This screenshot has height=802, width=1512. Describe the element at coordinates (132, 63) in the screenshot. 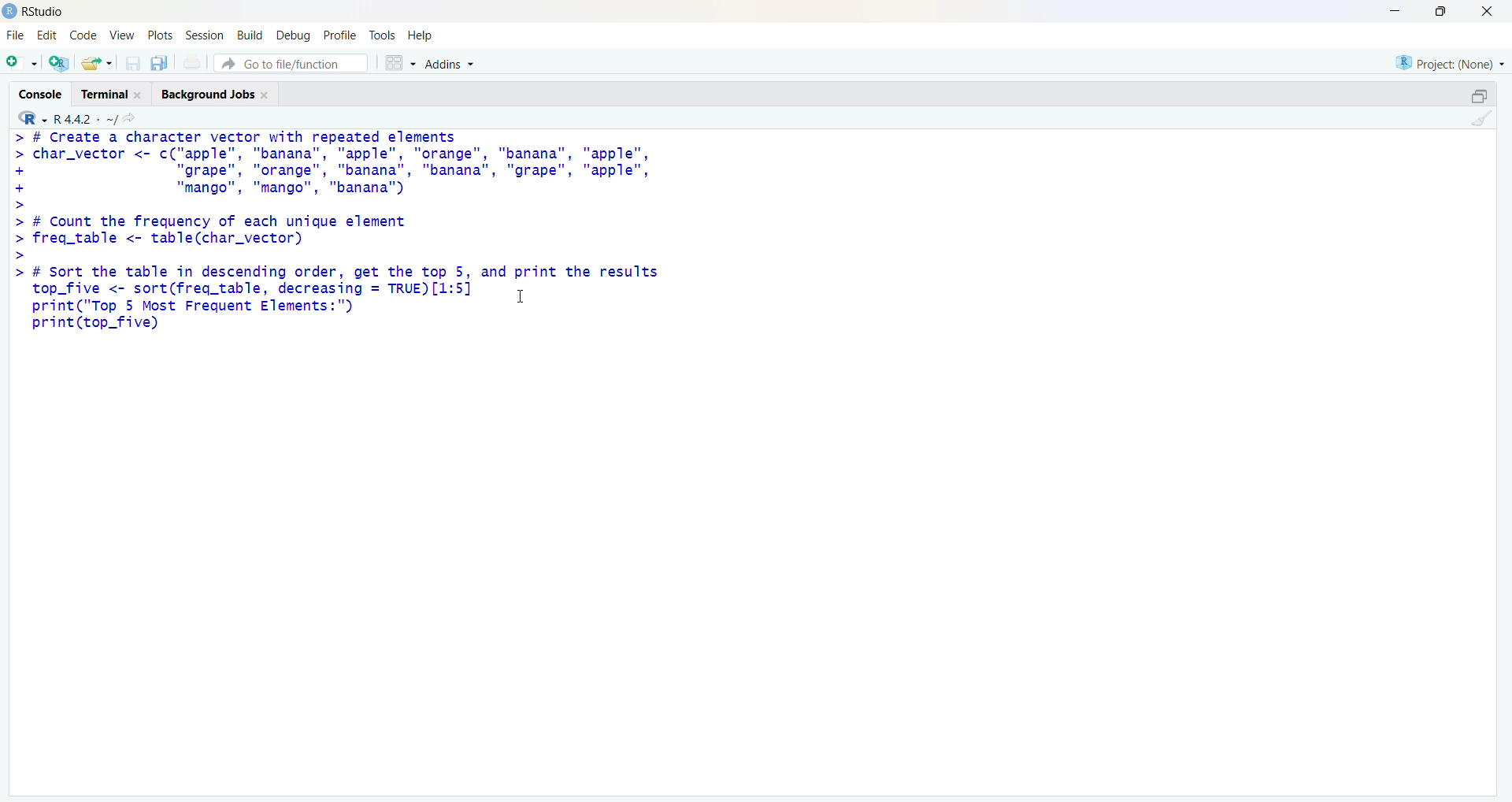

I see `Save current document (Ctrl + S)` at that location.